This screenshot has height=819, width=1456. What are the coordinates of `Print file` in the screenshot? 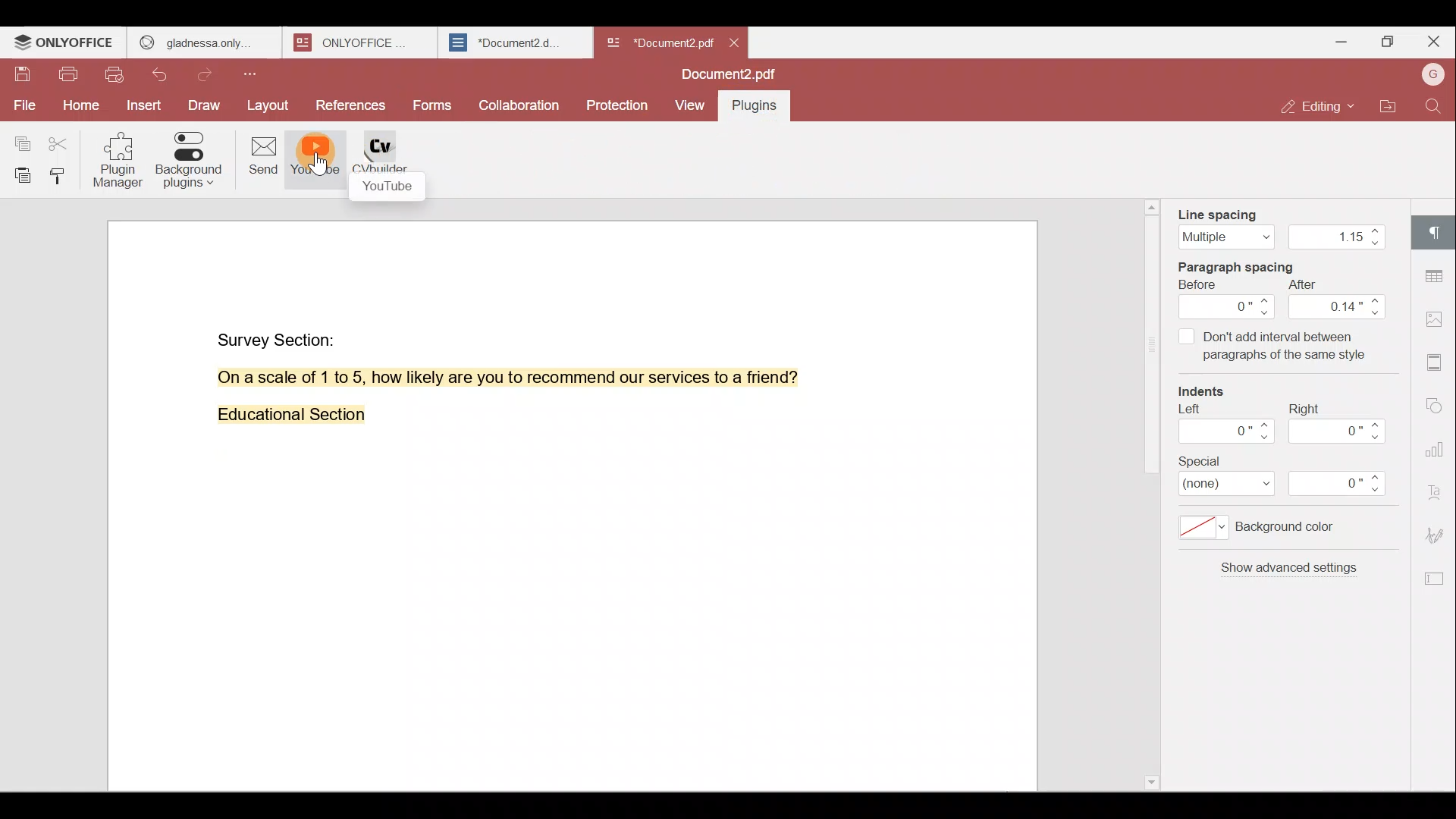 It's located at (67, 77).